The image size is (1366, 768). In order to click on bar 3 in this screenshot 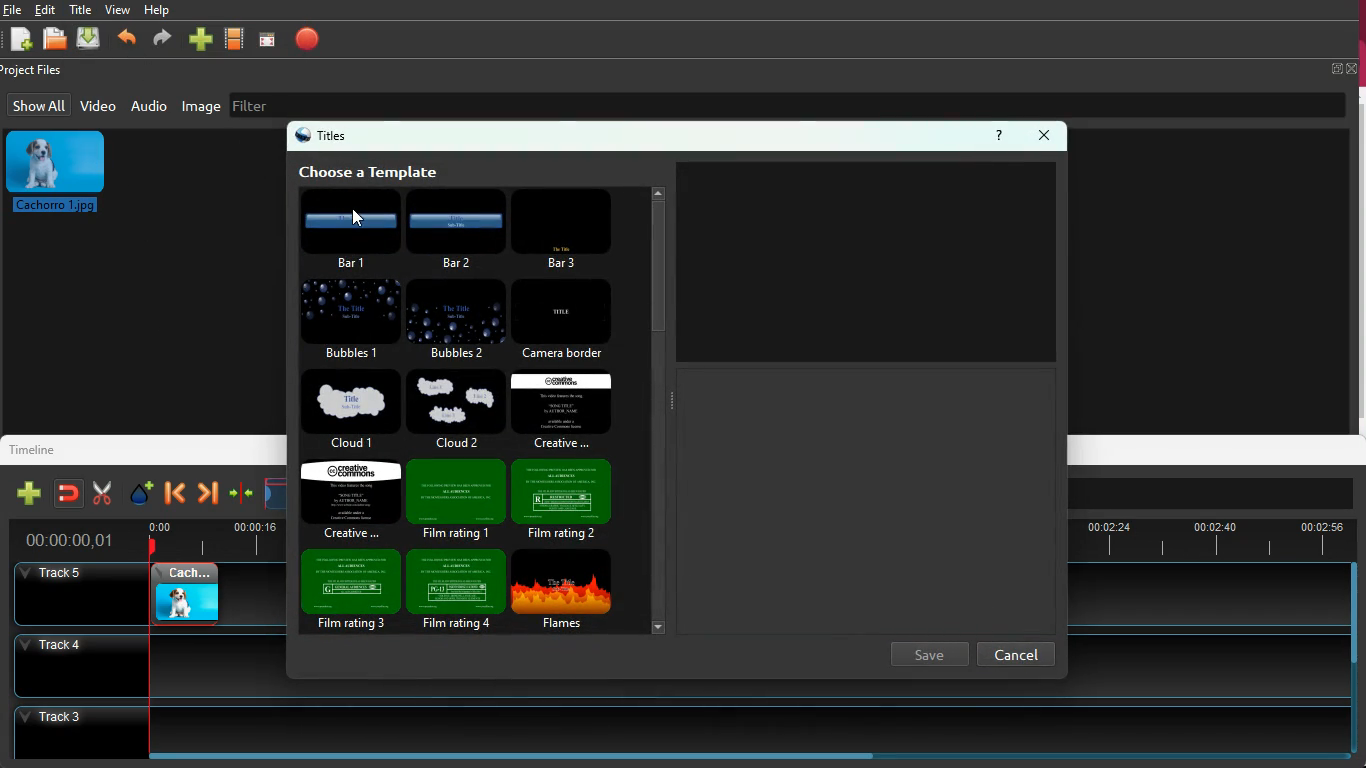, I will do `click(569, 227)`.